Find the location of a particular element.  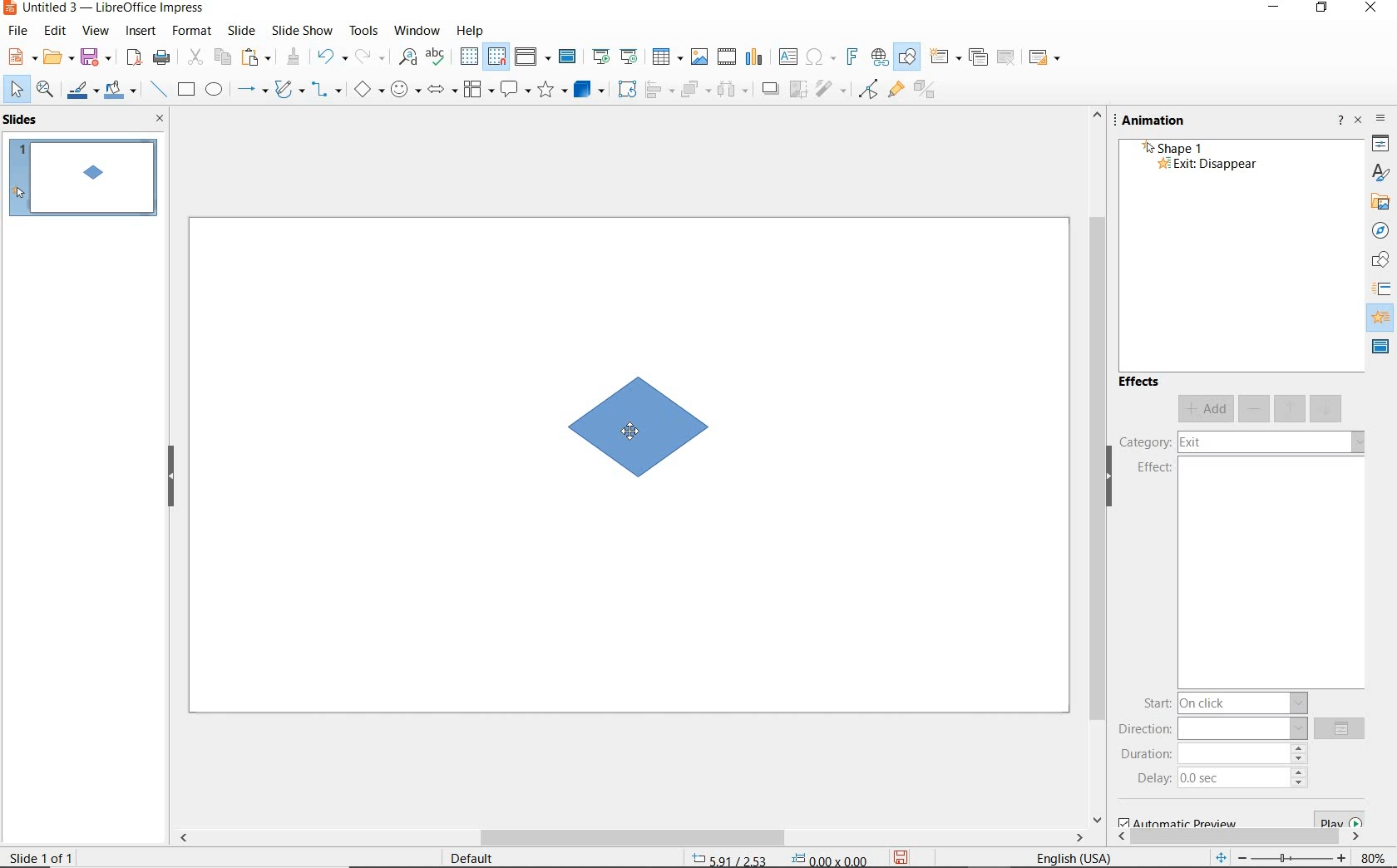

insert text box is located at coordinates (787, 57).